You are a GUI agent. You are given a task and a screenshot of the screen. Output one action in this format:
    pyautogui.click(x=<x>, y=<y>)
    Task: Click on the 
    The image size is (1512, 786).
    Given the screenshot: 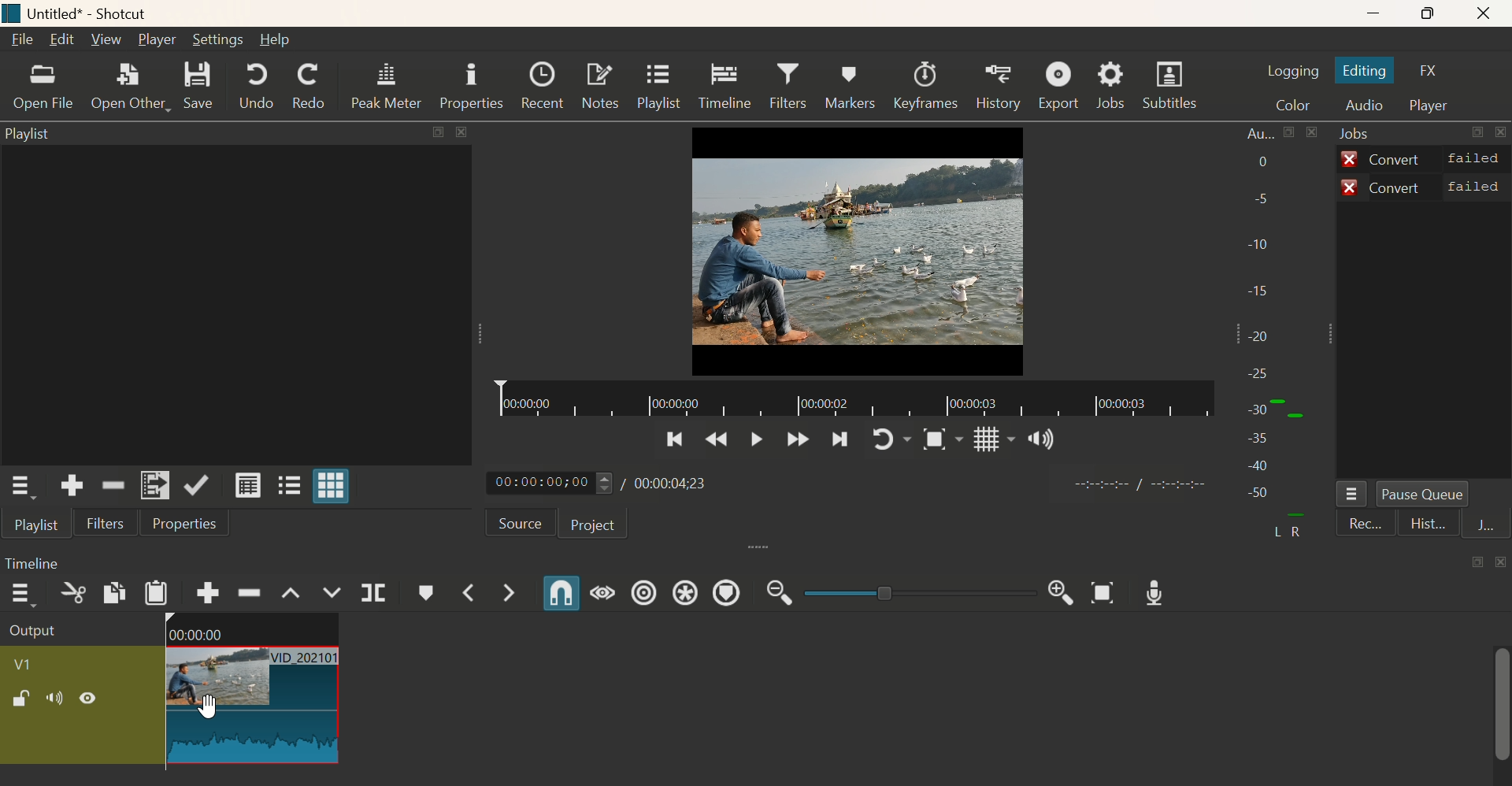 What is the action you would take?
    pyautogui.click(x=23, y=40)
    